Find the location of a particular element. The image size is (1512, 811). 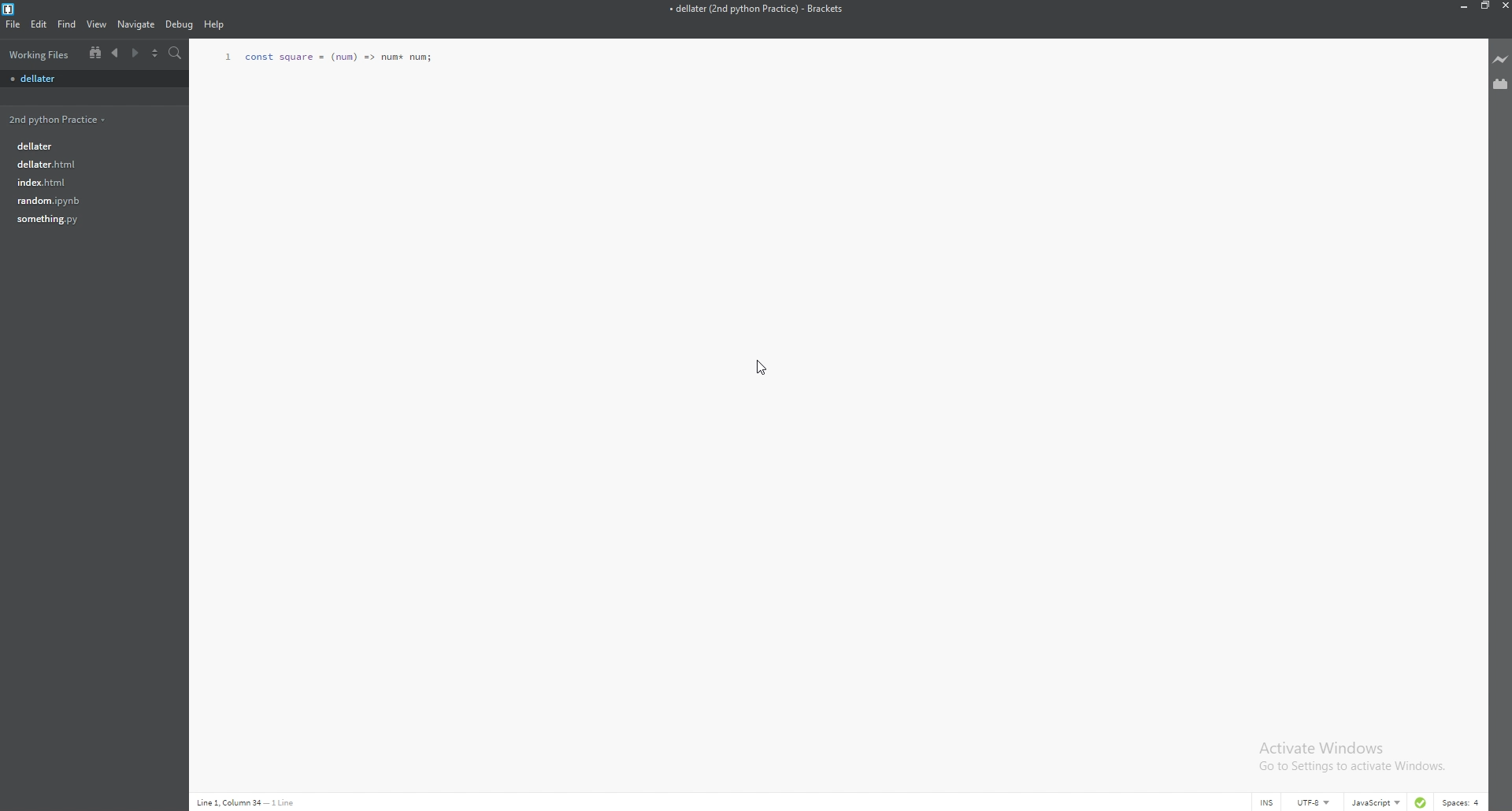

cursor mode is located at coordinates (1269, 802).